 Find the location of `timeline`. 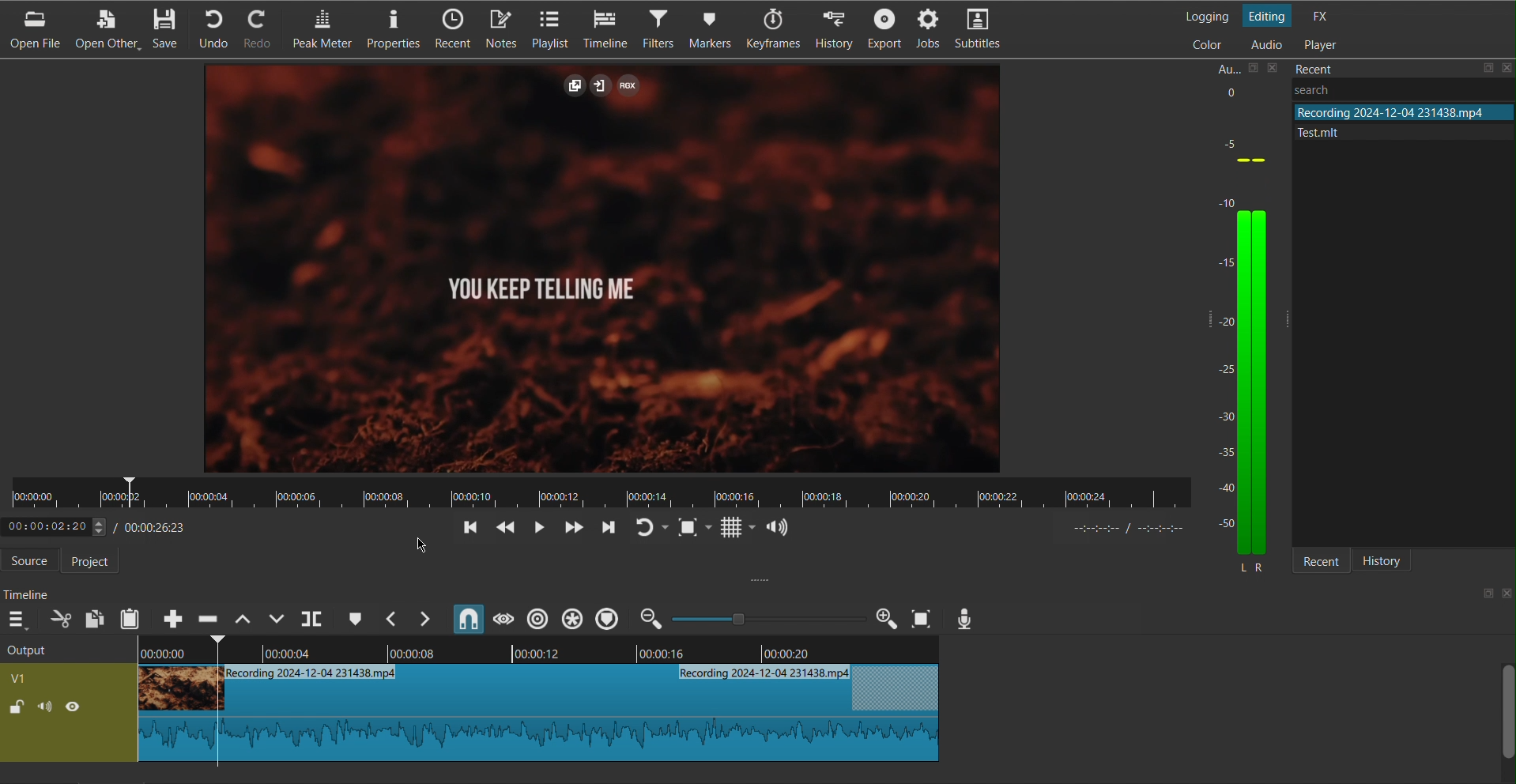

timeline is located at coordinates (586, 650).